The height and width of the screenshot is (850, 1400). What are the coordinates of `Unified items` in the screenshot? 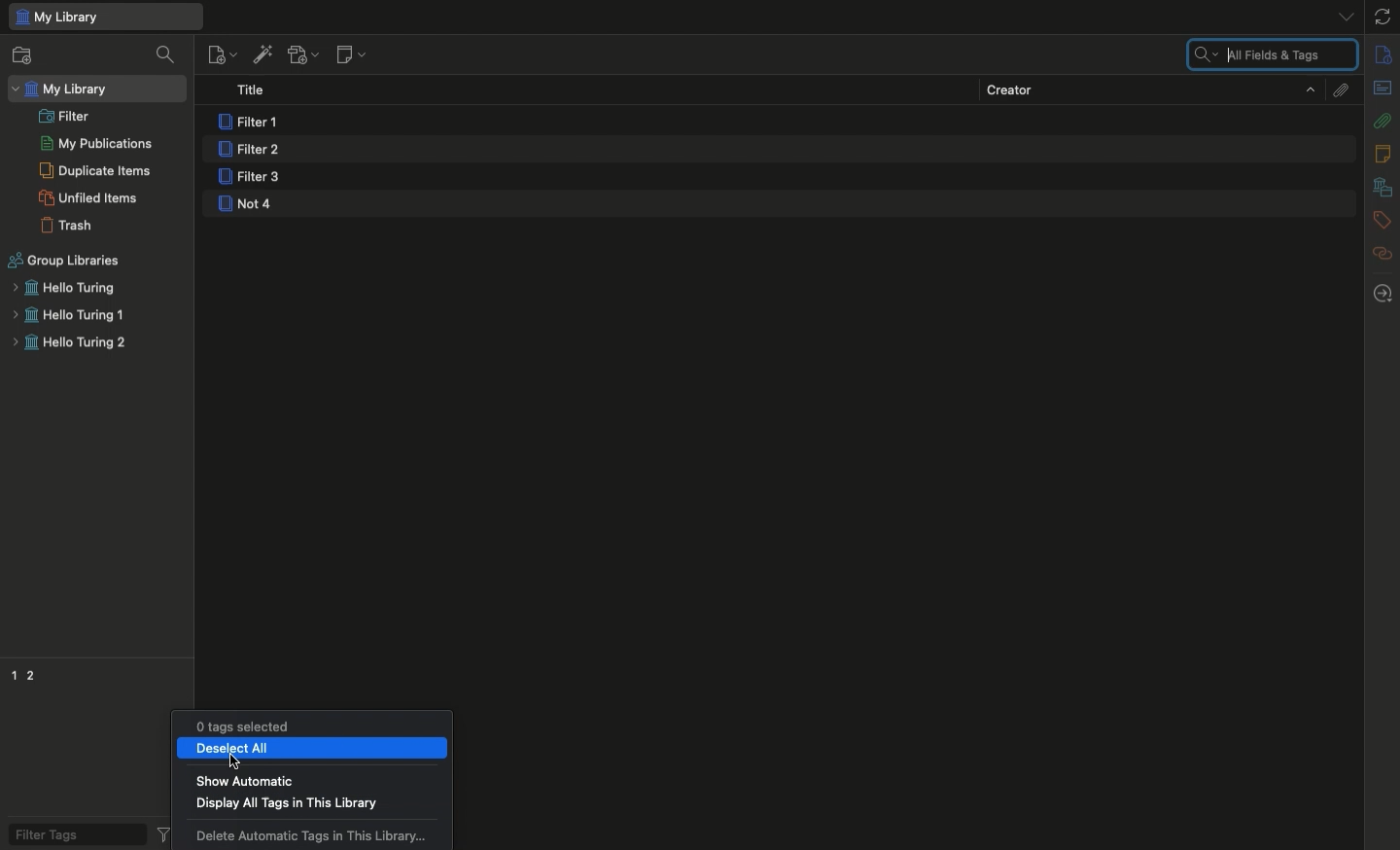 It's located at (91, 197).